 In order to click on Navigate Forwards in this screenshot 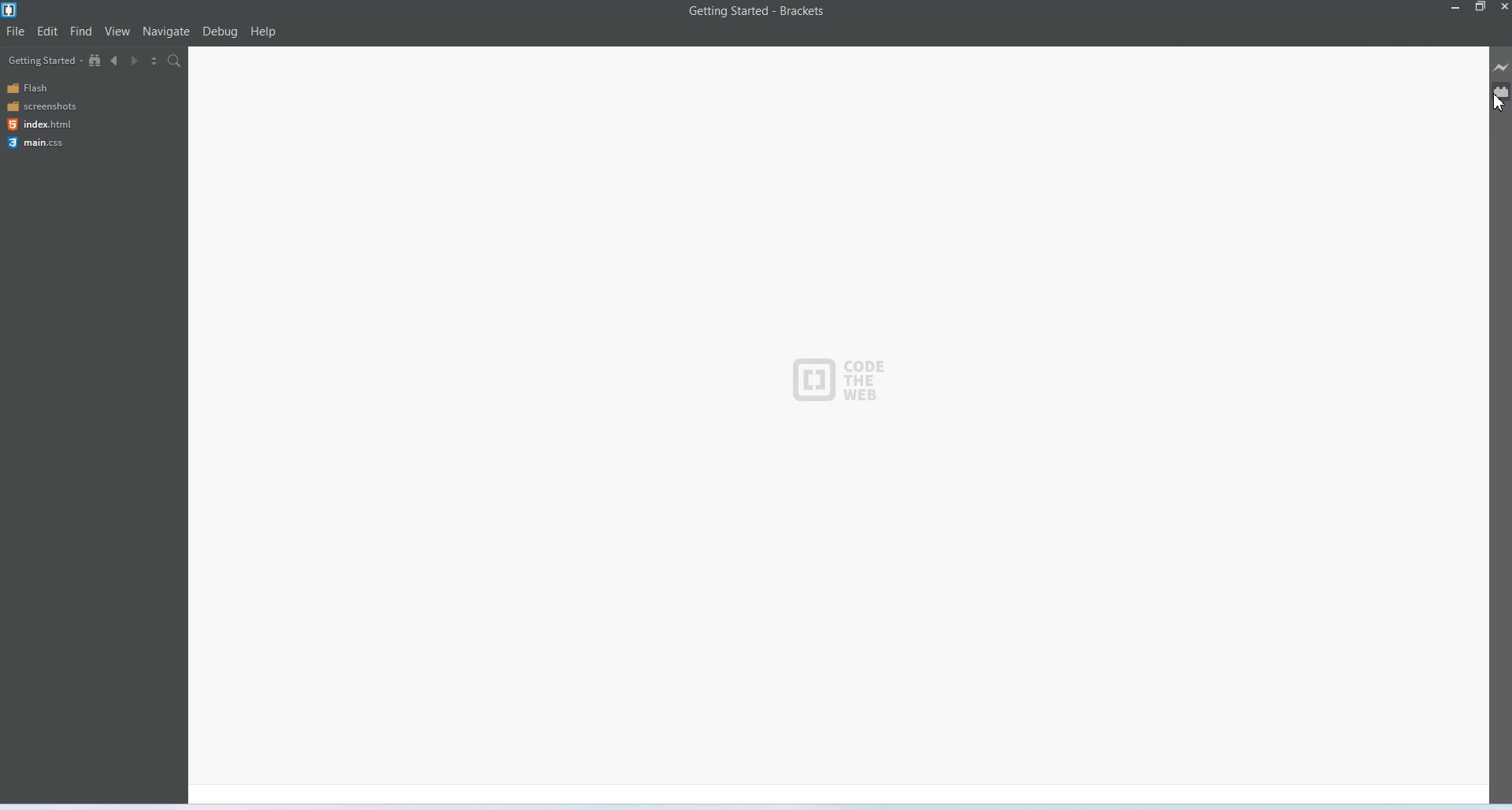, I will do `click(135, 61)`.